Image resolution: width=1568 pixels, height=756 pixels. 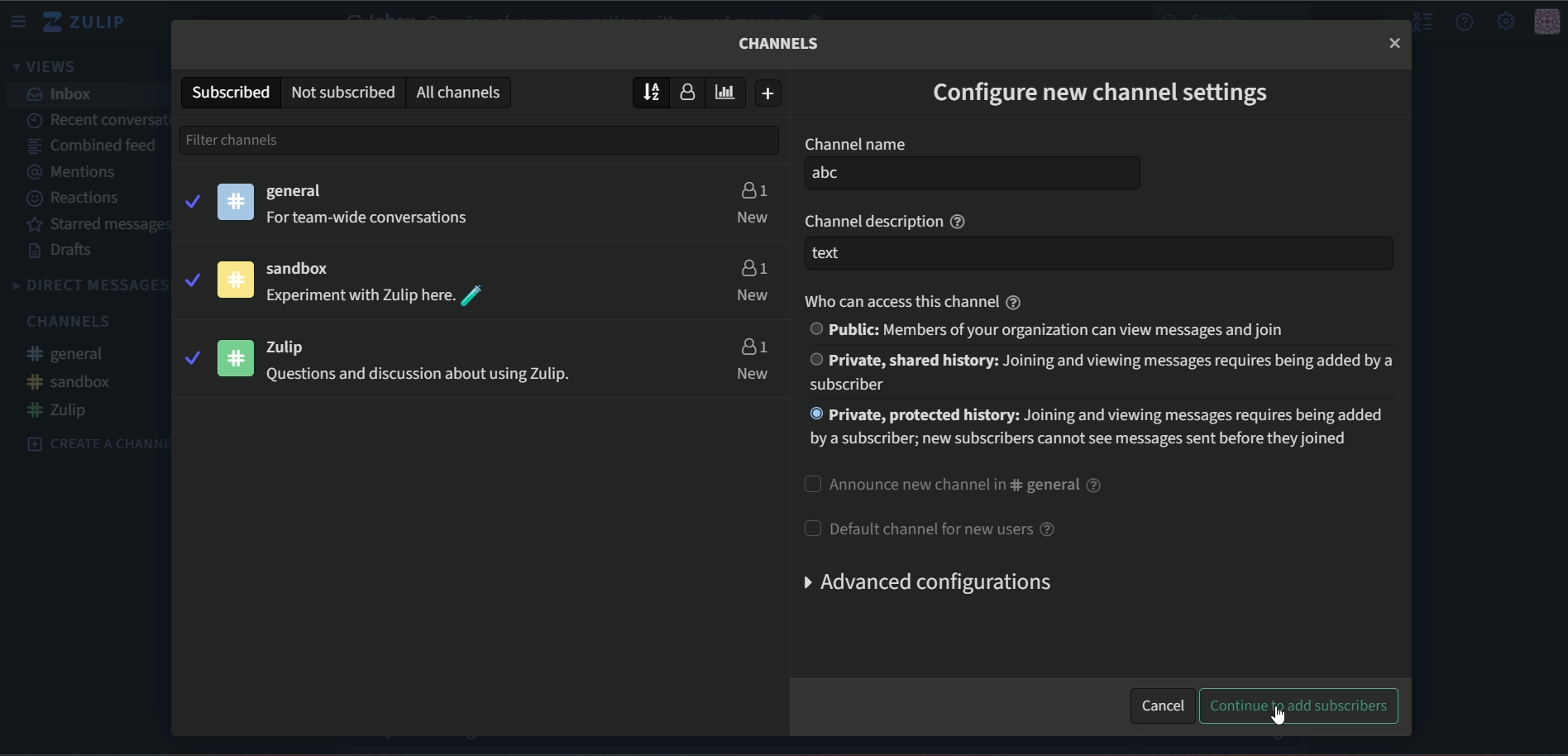 What do you see at coordinates (973, 174) in the screenshot?
I see `abc` at bounding box center [973, 174].